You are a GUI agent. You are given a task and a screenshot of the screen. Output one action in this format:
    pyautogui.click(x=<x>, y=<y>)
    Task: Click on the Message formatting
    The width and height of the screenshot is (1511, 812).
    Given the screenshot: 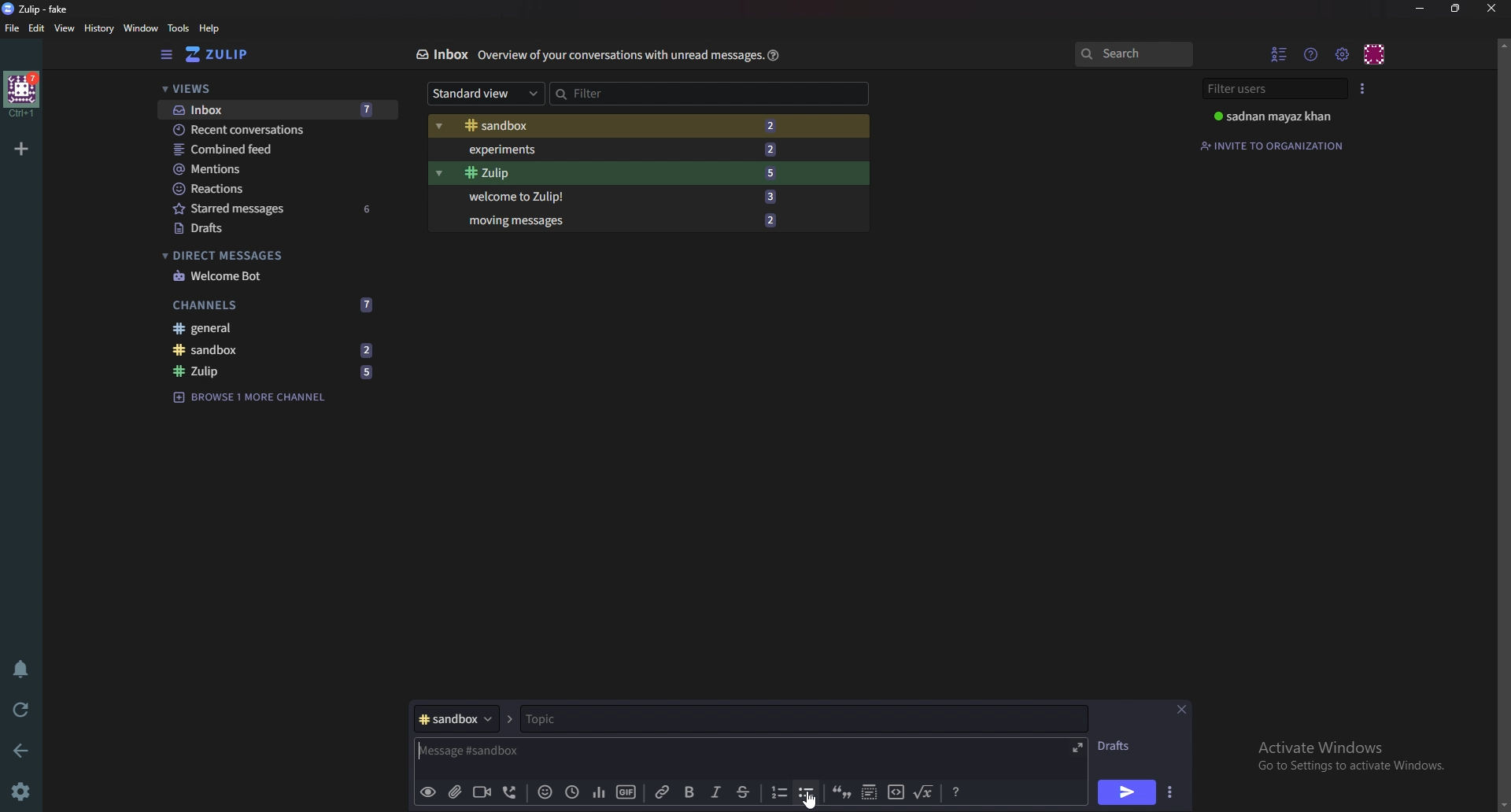 What is the action you would take?
    pyautogui.click(x=959, y=790)
    